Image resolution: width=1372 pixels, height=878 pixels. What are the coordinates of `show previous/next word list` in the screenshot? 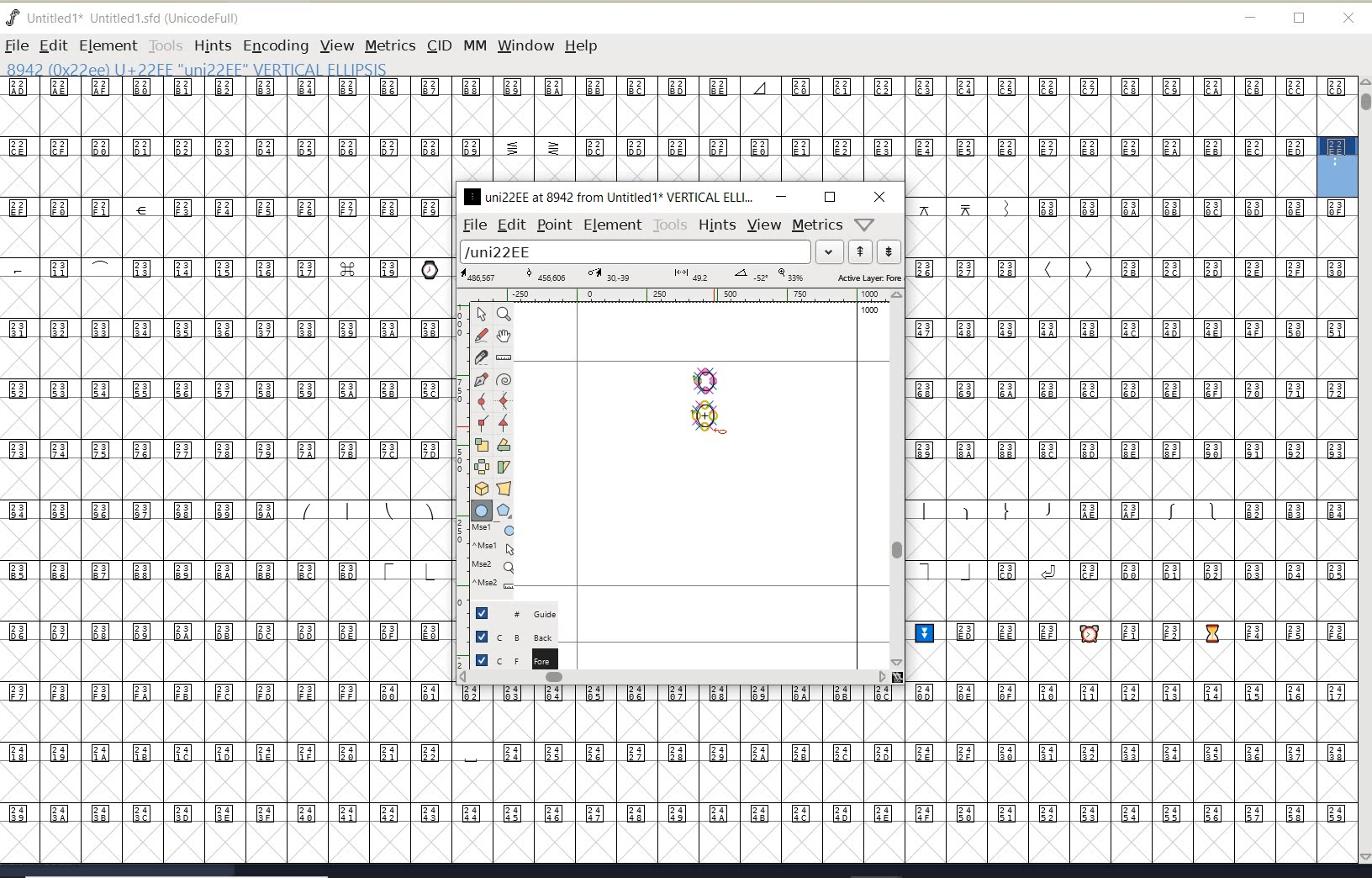 It's located at (876, 253).